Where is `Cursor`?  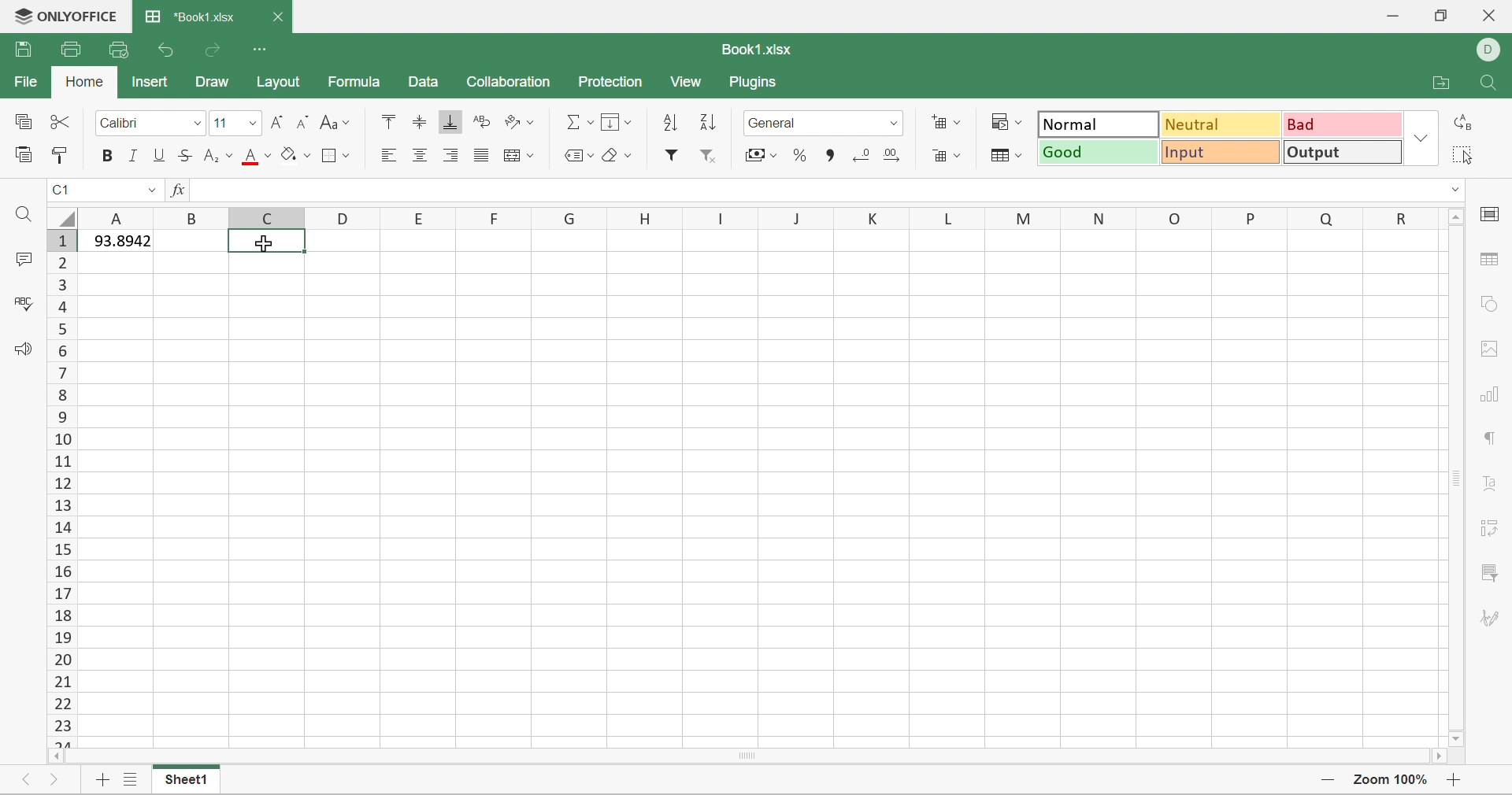
Cursor is located at coordinates (265, 243).